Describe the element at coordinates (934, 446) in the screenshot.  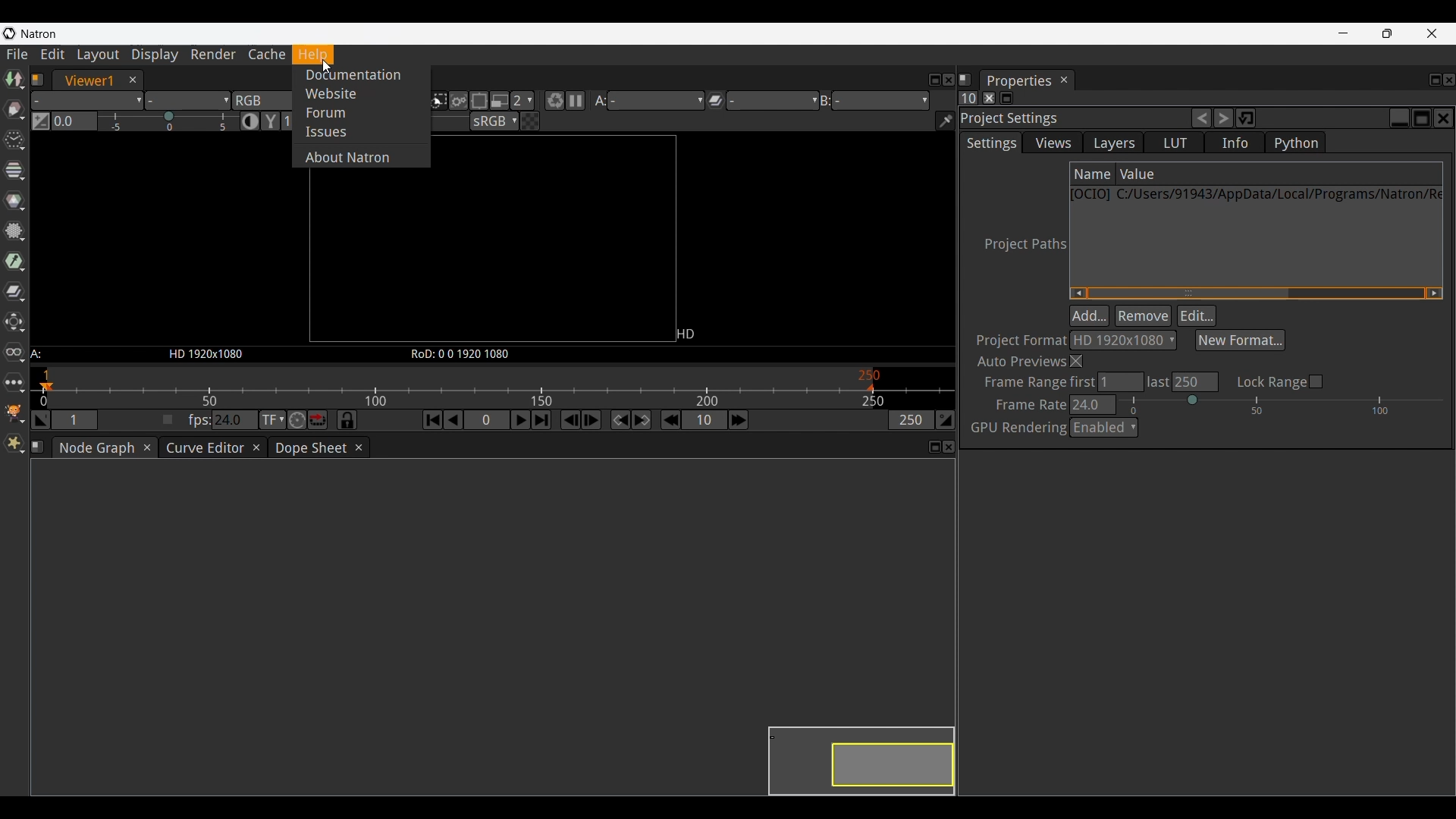
I see `Float pane 3` at that location.